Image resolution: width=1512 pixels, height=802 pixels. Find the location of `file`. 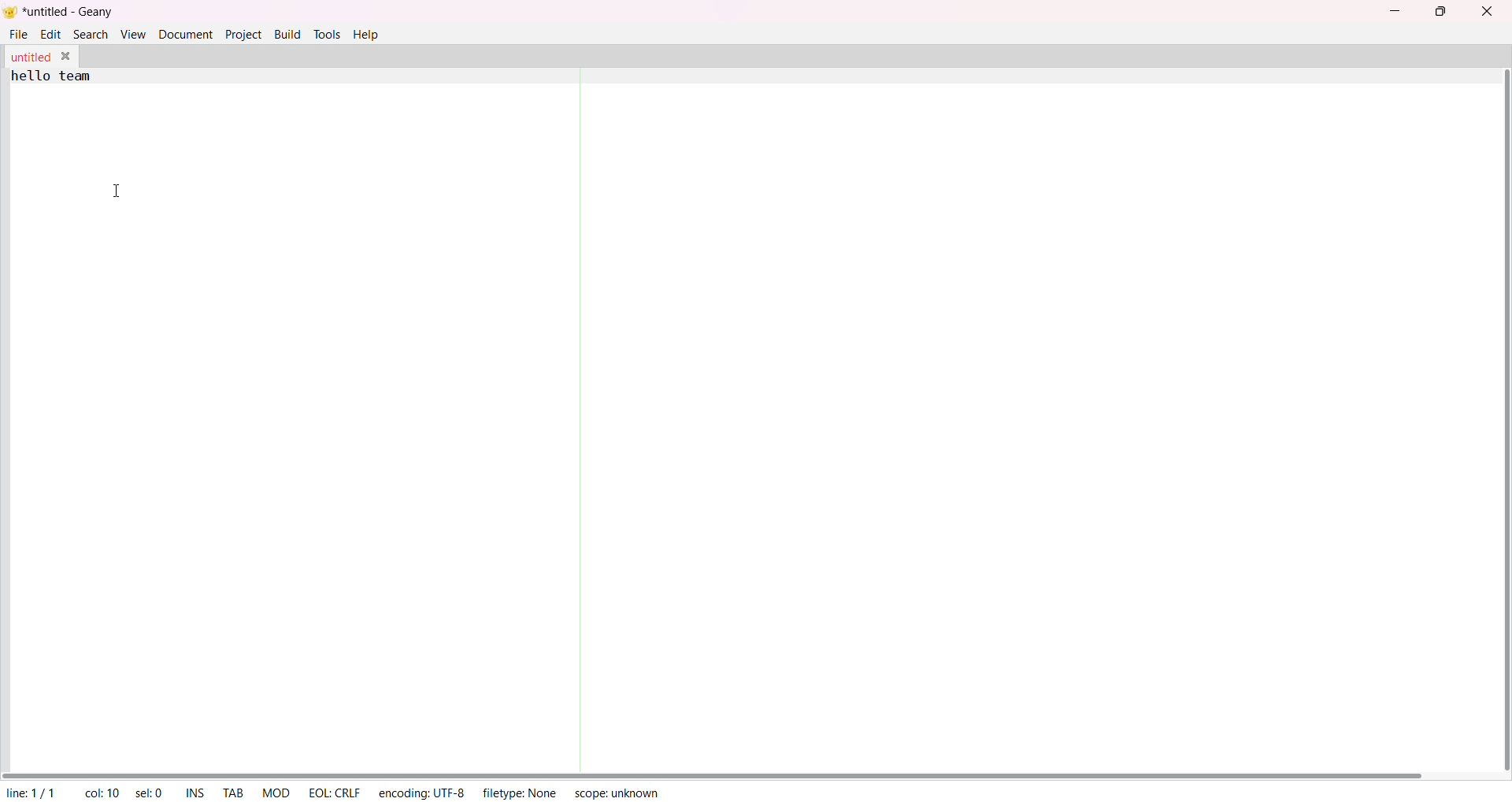

file is located at coordinates (18, 33).